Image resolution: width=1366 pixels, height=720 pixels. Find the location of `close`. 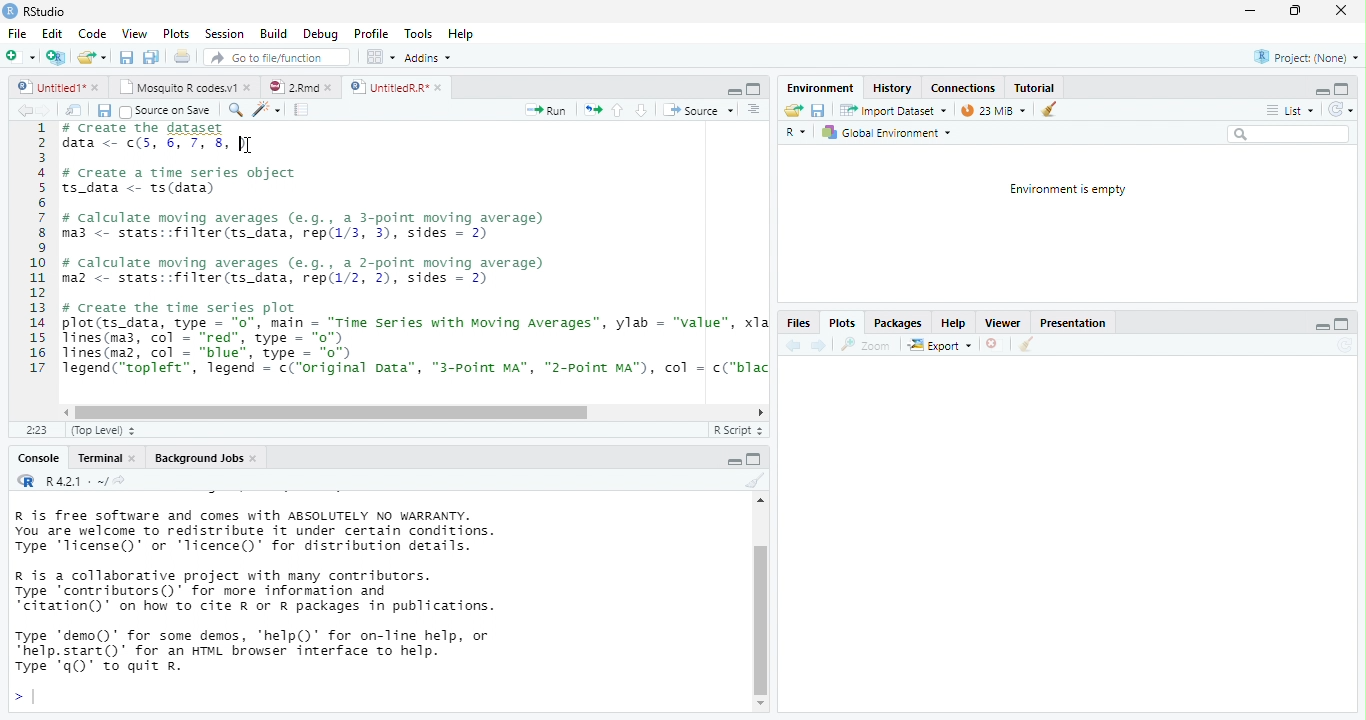

close is located at coordinates (1340, 11).